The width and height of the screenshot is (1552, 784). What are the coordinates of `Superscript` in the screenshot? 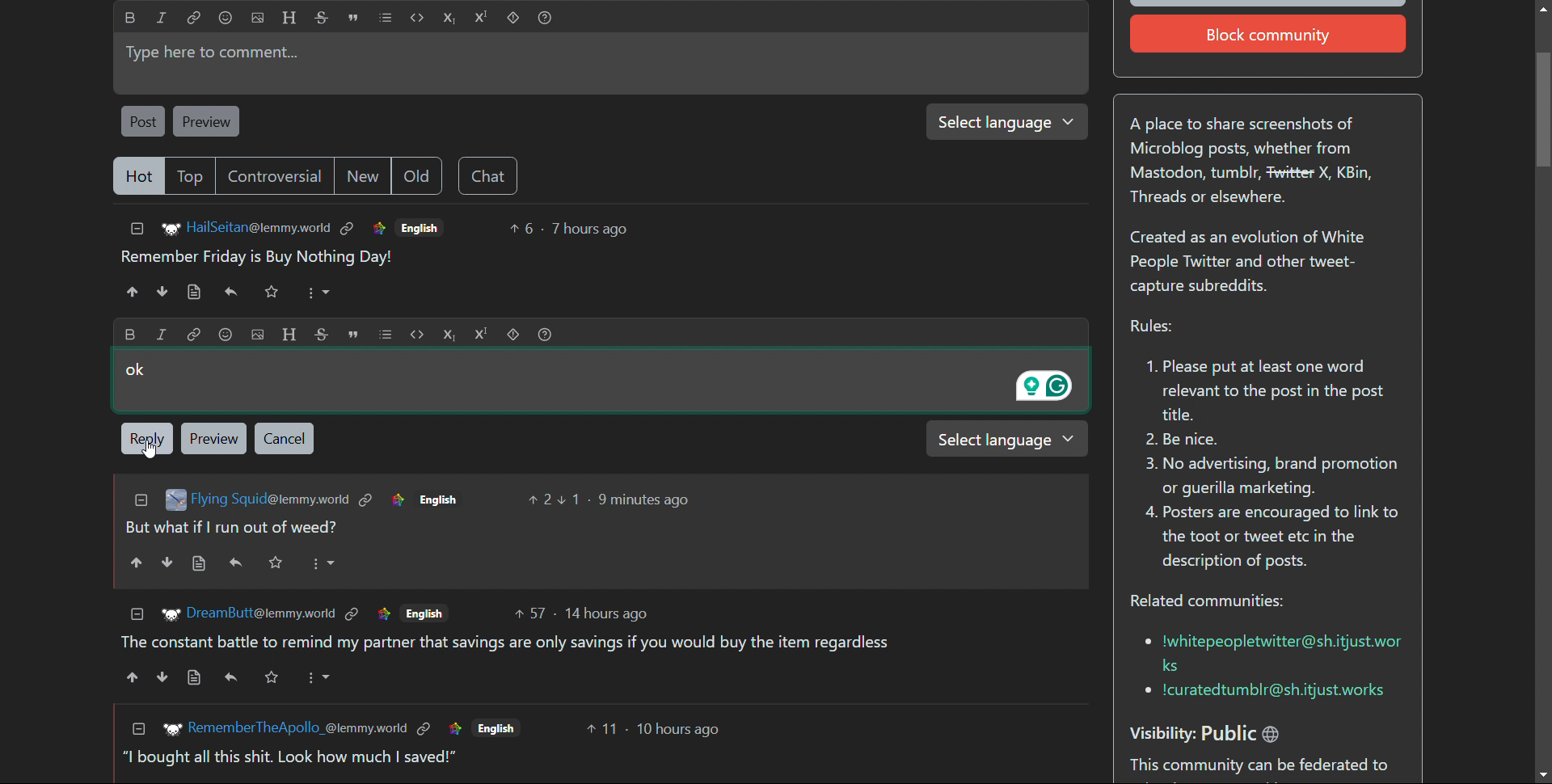 It's located at (479, 335).